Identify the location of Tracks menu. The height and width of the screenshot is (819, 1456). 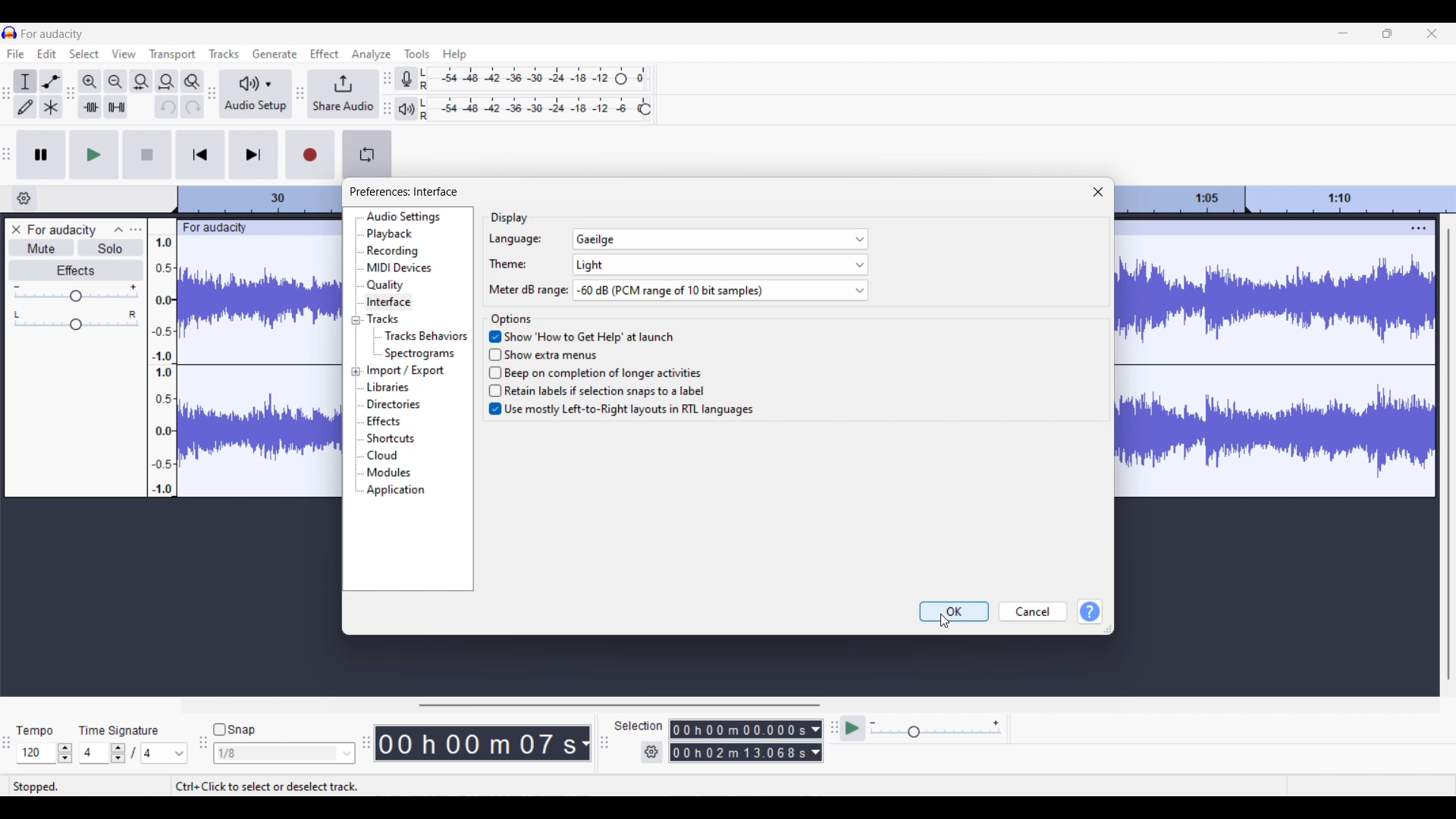
(224, 53).